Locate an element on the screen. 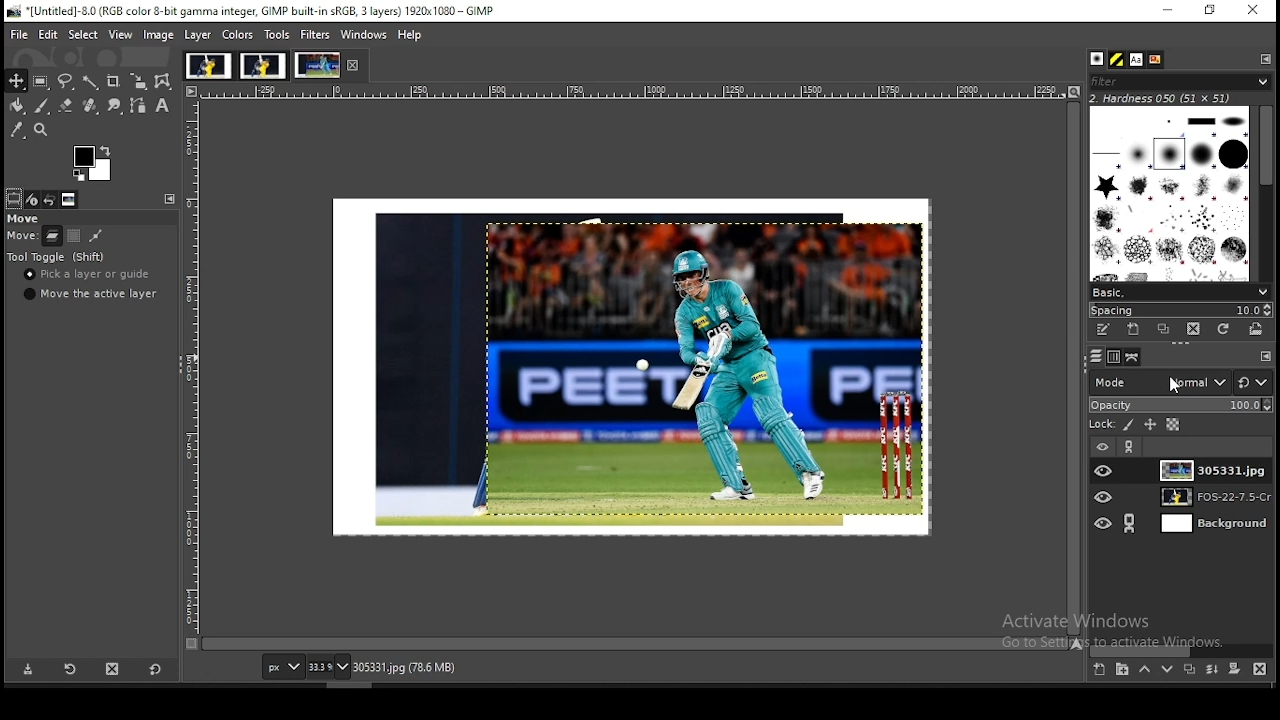 The image size is (1280, 720). layer visibility on/off is located at coordinates (1105, 499).